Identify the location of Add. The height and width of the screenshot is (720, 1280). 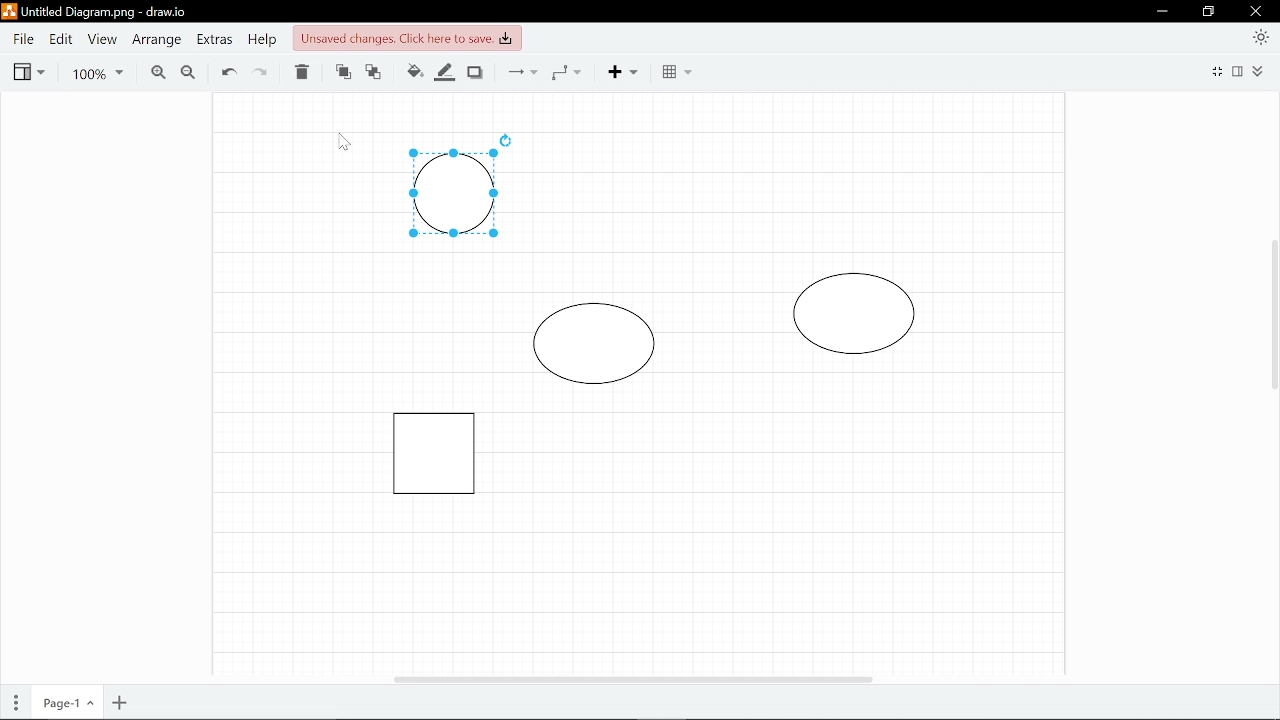
(630, 71).